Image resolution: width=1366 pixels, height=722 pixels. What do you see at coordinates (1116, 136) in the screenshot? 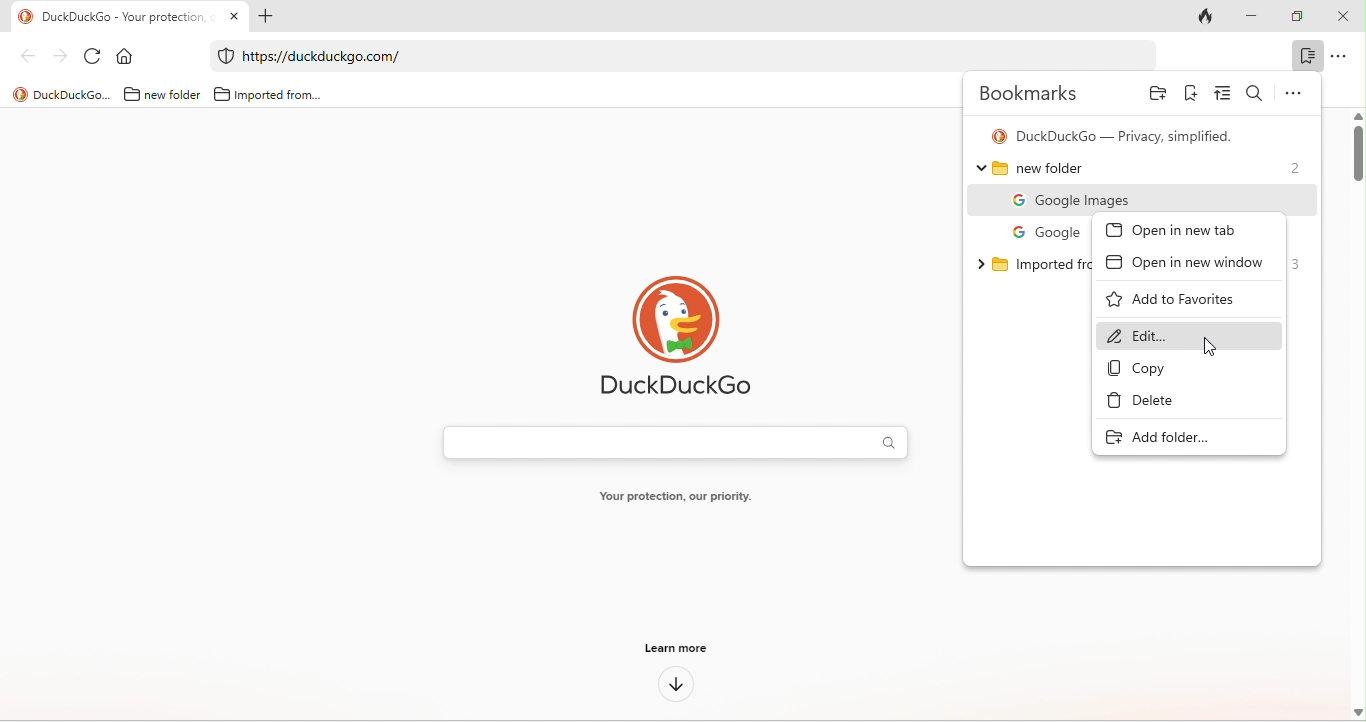
I see `duck duck go- privacy simplified` at bounding box center [1116, 136].